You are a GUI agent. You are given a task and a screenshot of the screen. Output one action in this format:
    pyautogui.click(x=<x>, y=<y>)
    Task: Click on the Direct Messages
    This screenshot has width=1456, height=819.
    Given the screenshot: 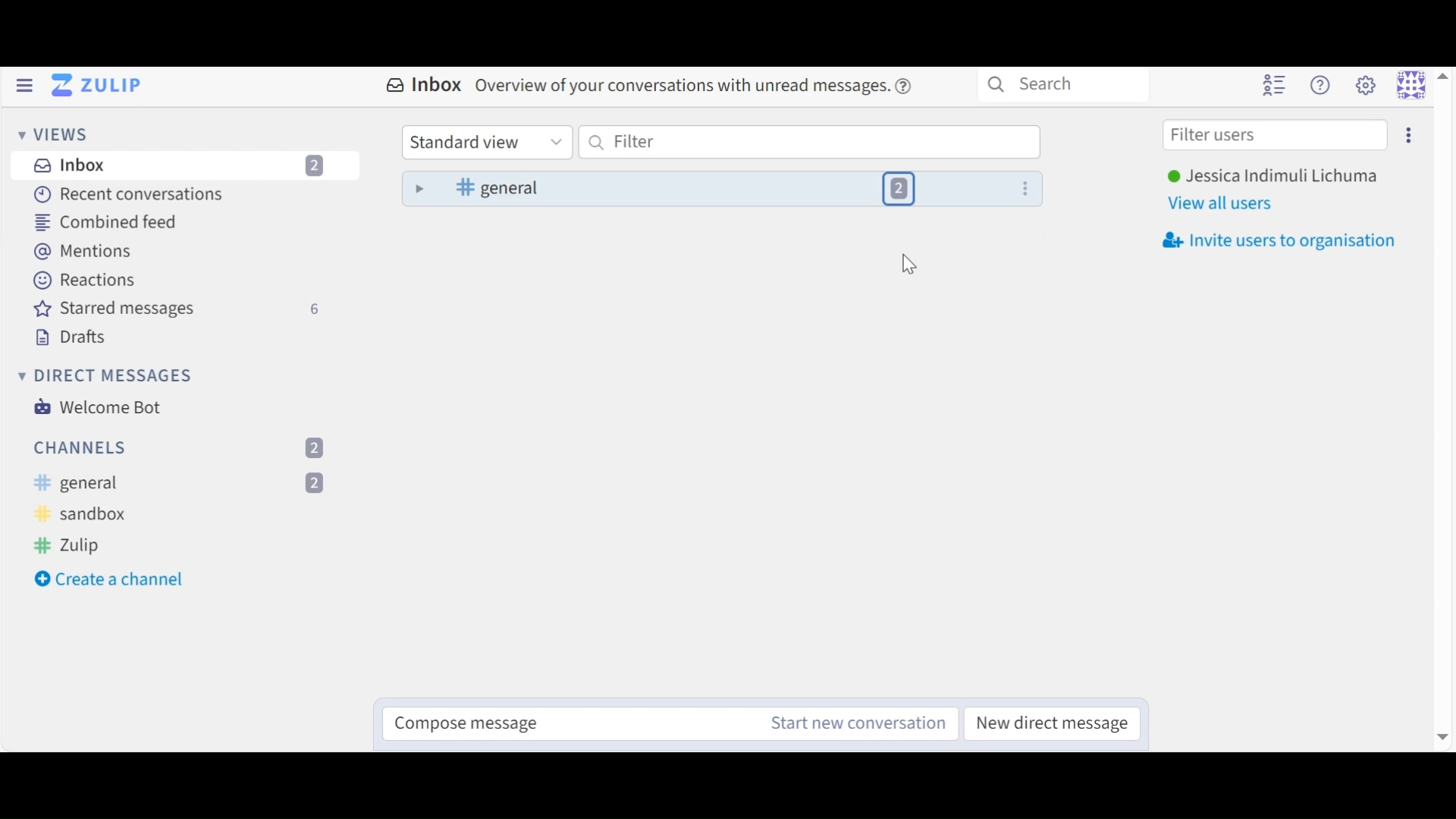 What is the action you would take?
    pyautogui.click(x=112, y=375)
    